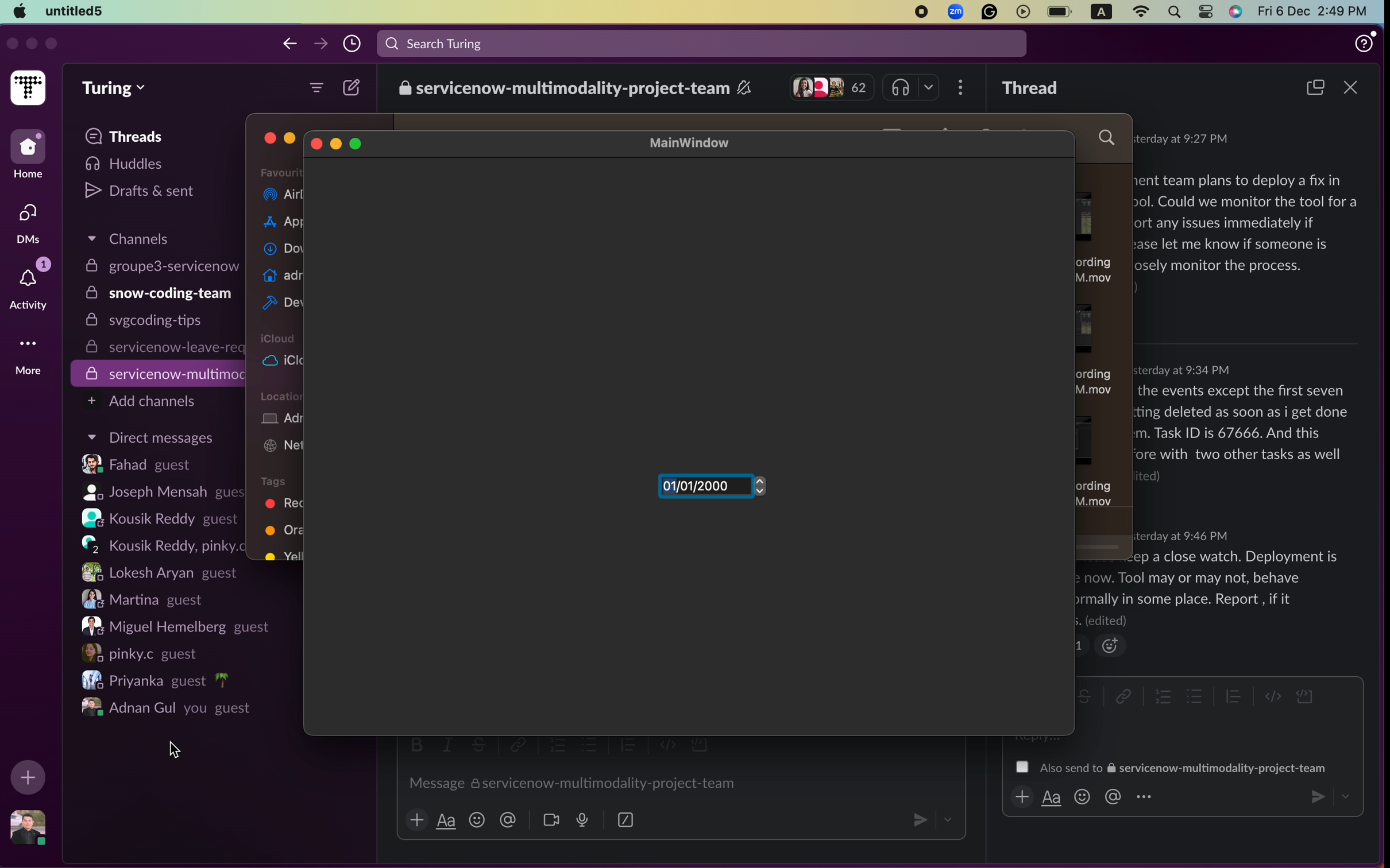 This screenshot has height=868, width=1390. Describe the element at coordinates (1349, 88) in the screenshot. I see `close` at that location.